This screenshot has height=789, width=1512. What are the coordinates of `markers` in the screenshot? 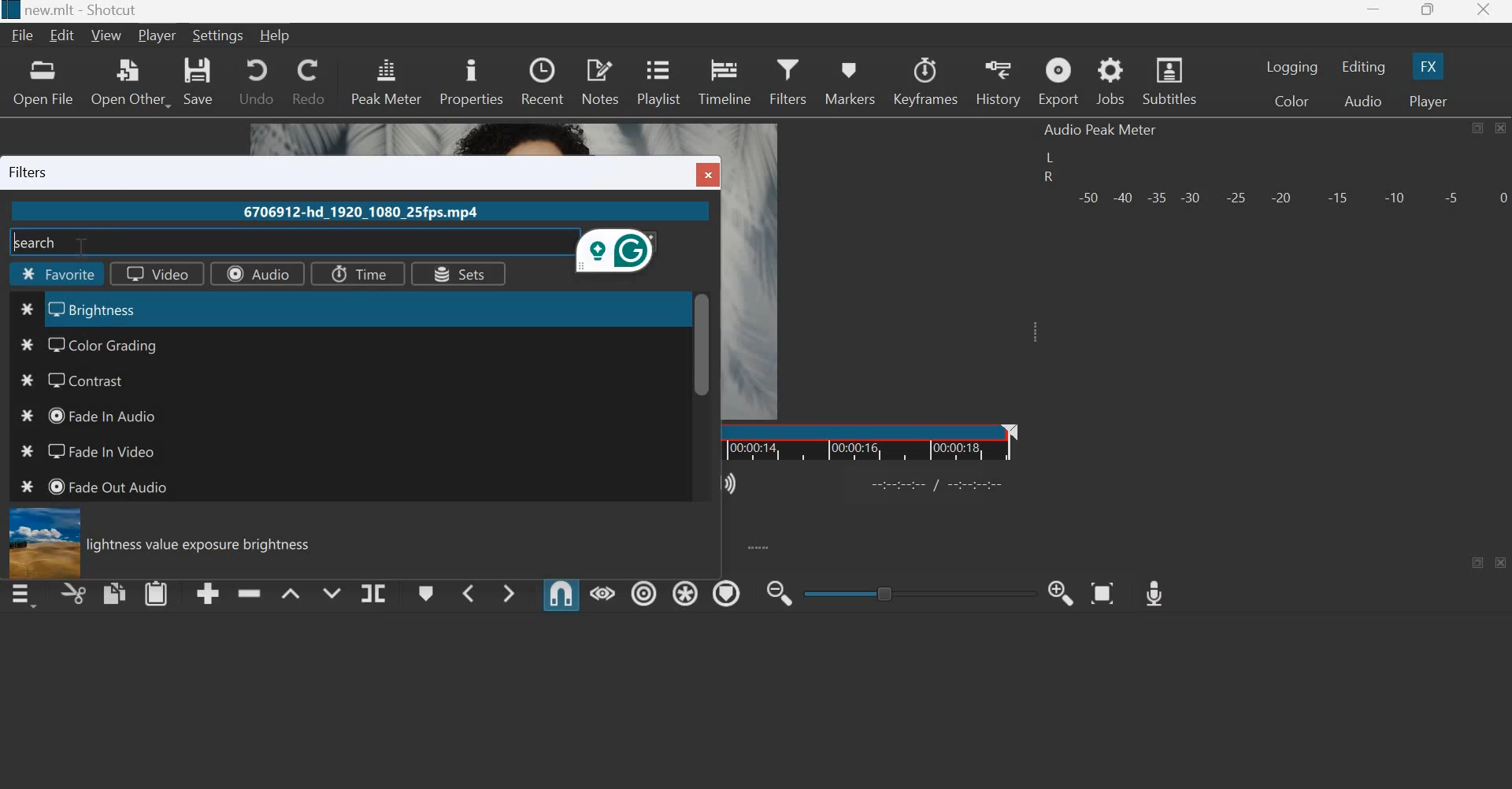 It's located at (848, 83).